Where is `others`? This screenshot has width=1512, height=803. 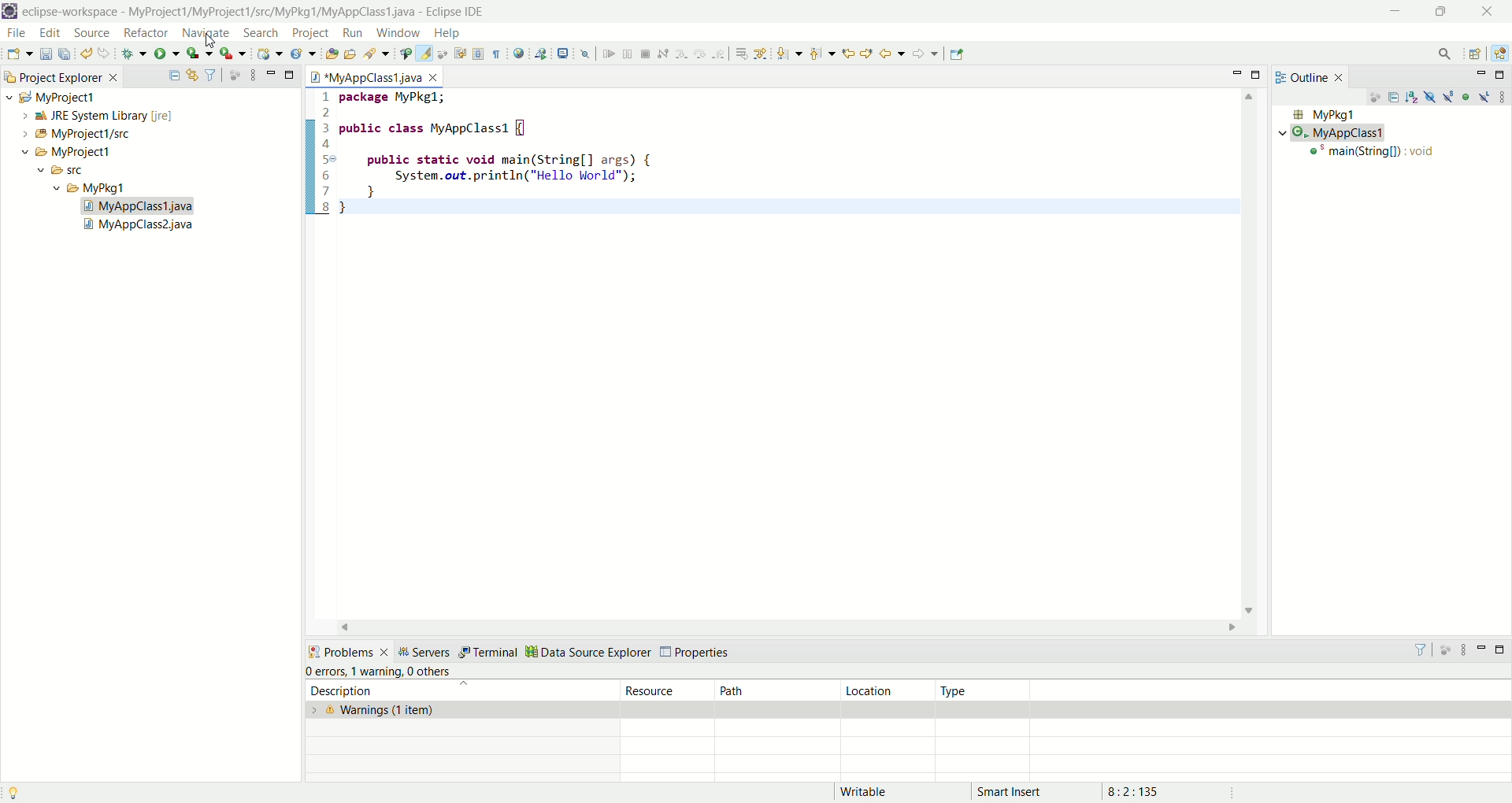
others is located at coordinates (433, 672).